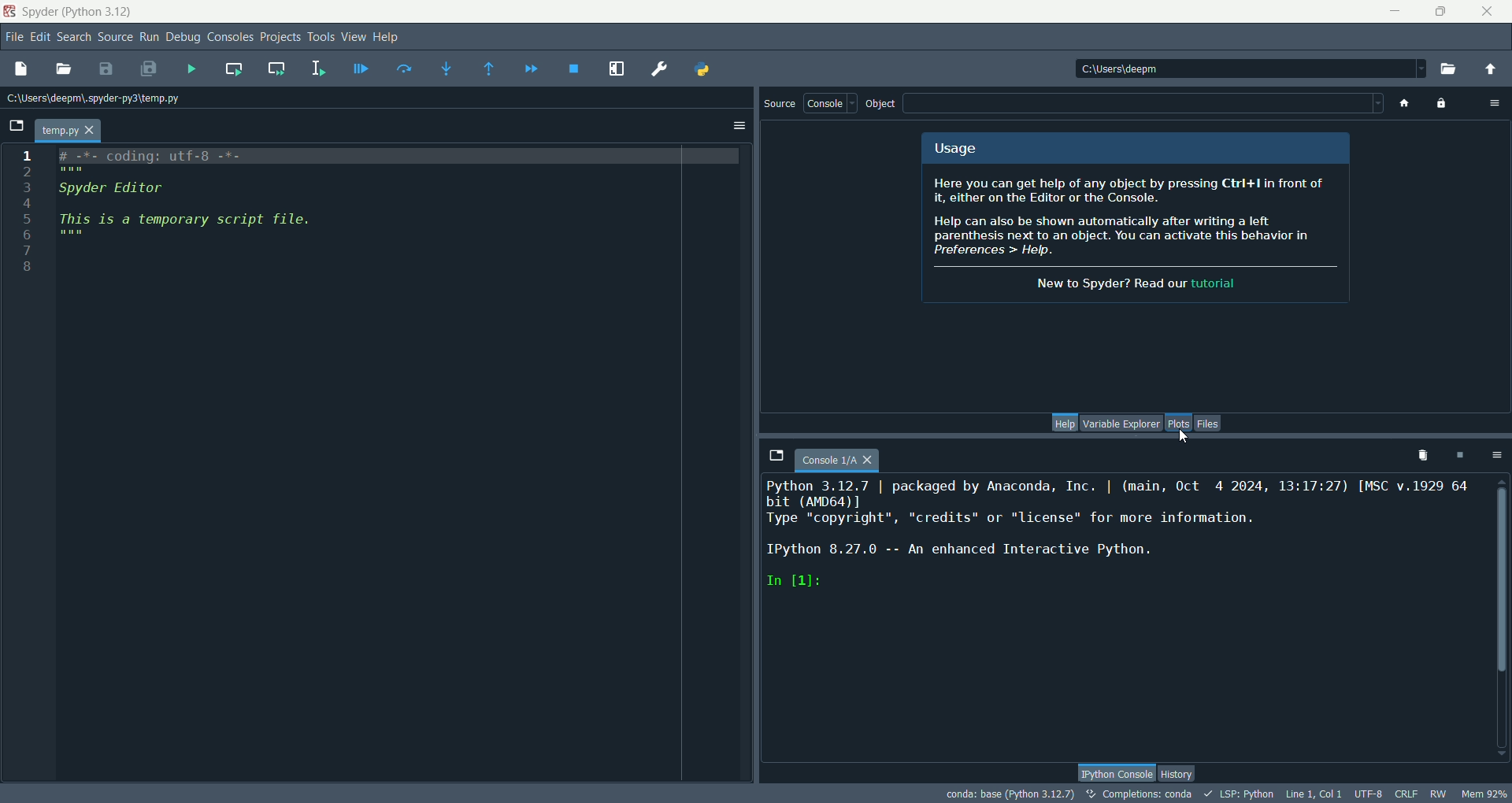 The width and height of the screenshot is (1512, 803). What do you see at coordinates (780, 102) in the screenshot?
I see `source` at bounding box center [780, 102].